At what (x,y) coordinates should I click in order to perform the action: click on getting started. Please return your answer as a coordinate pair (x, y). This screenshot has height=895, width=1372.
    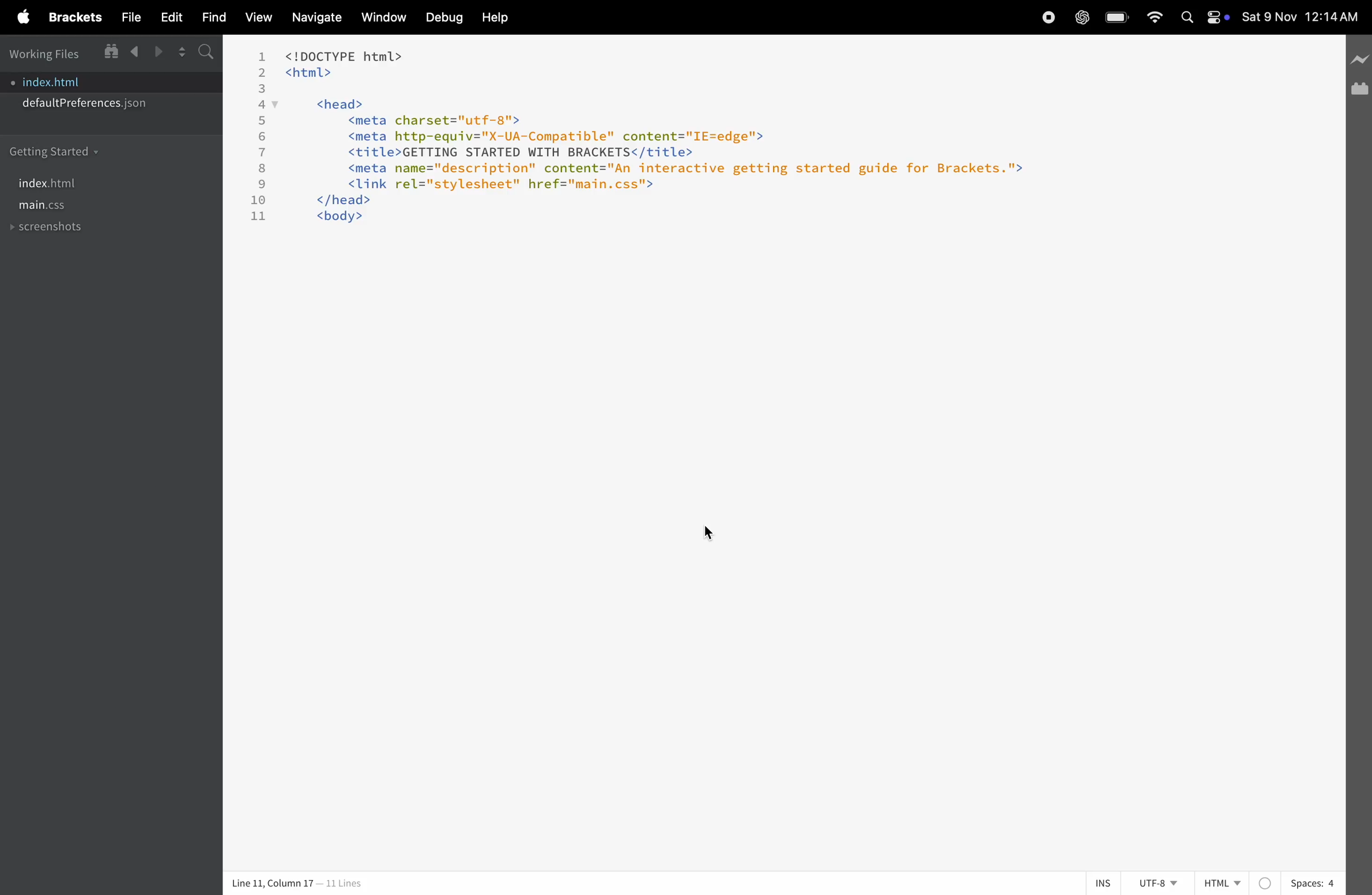
    Looking at the image, I should click on (98, 152).